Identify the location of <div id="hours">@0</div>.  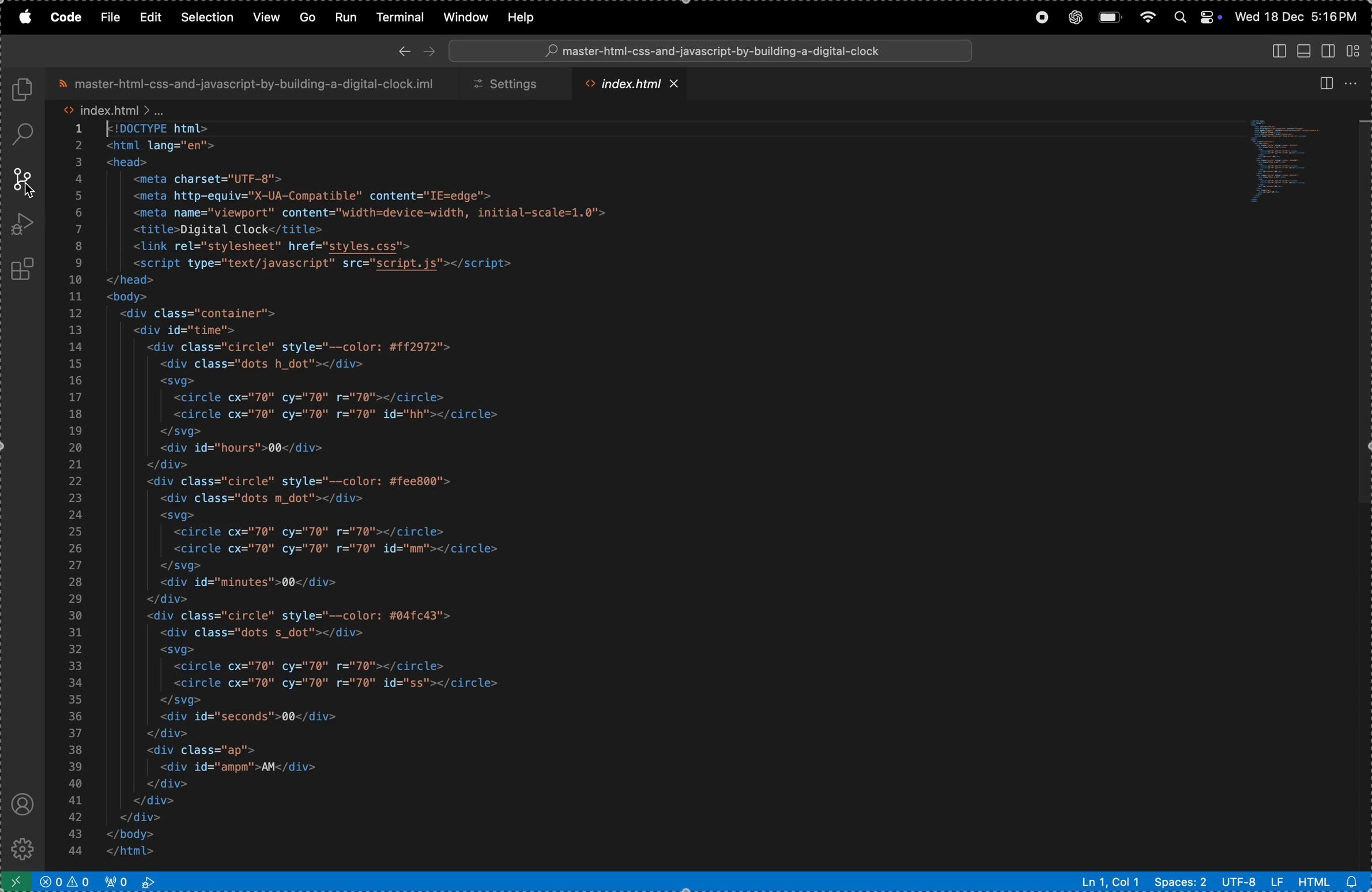
(242, 448).